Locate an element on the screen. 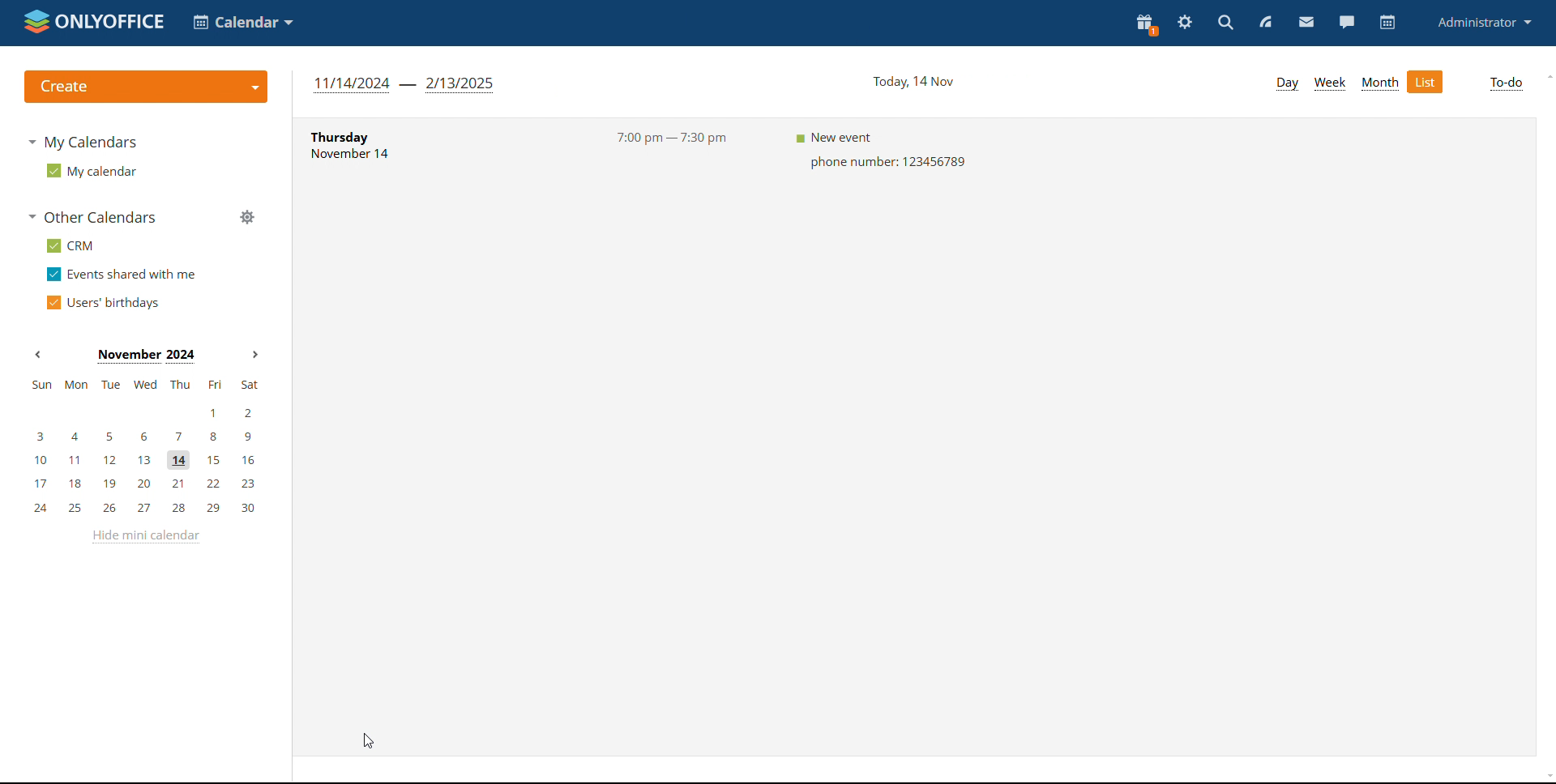  current month is located at coordinates (144, 356).